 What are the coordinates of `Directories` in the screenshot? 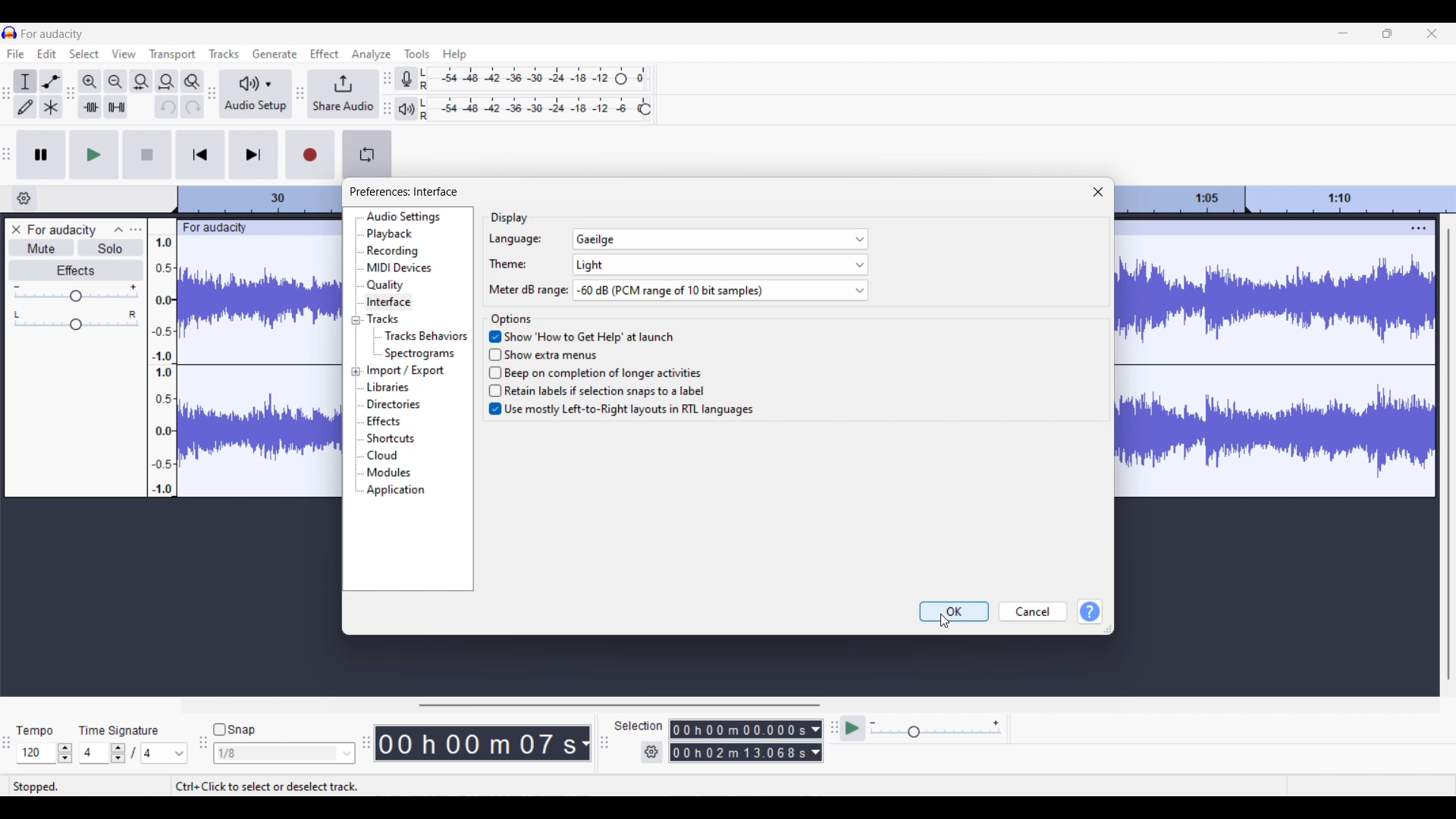 It's located at (394, 404).